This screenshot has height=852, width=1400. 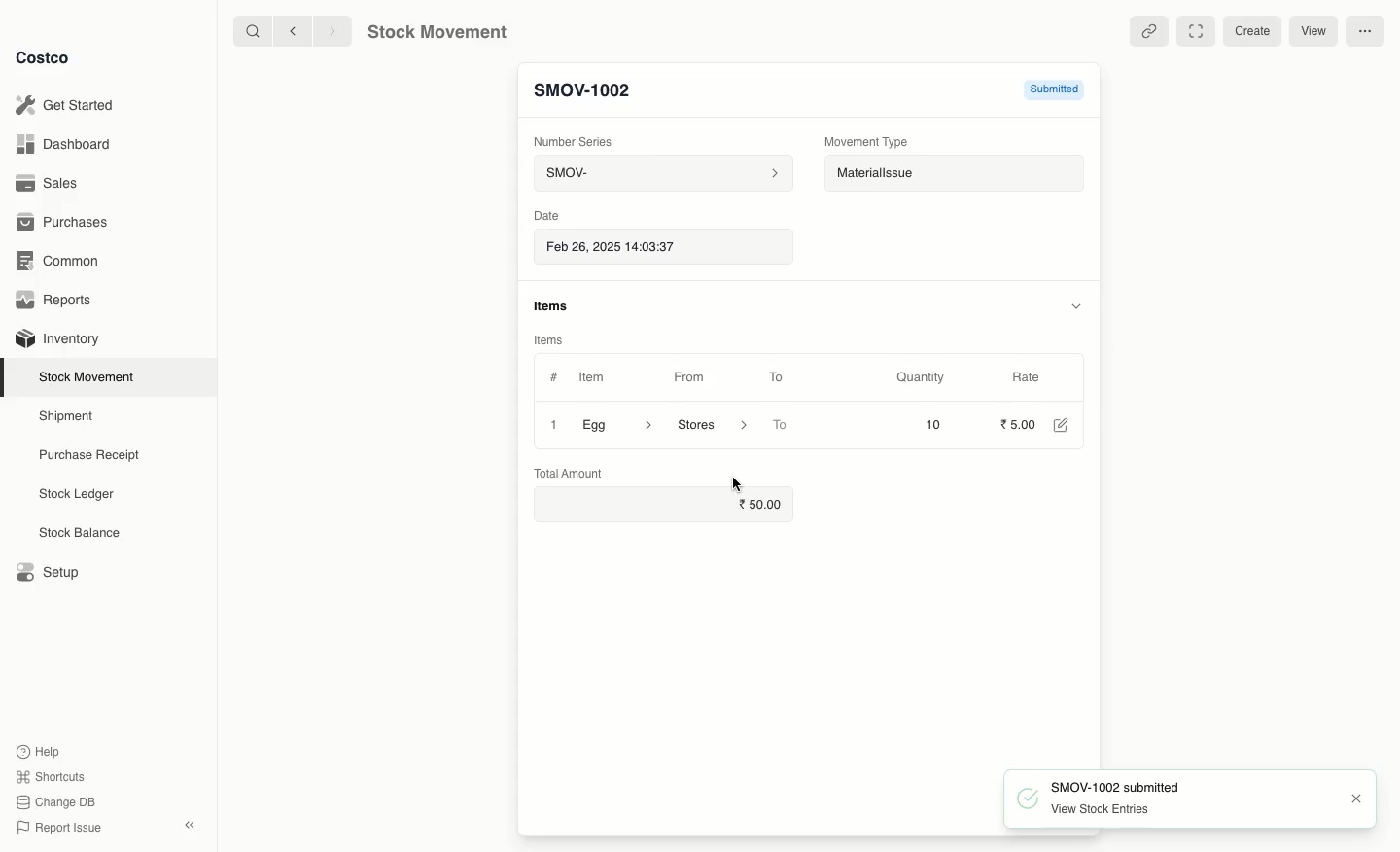 I want to click on ~~ View Stock Entries, so click(x=1091, y=811).